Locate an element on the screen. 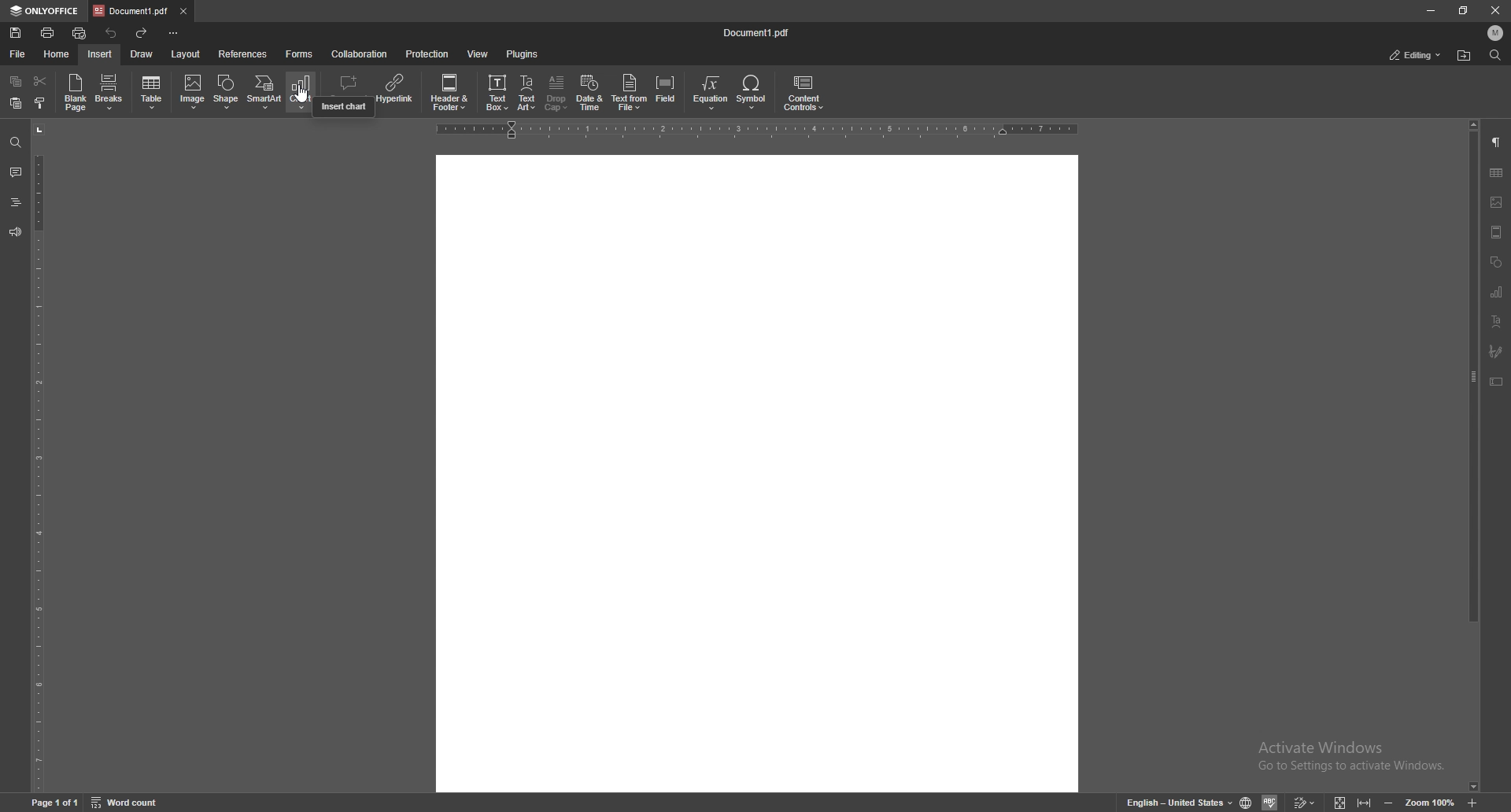  equation is located at coordinates (711, 92).